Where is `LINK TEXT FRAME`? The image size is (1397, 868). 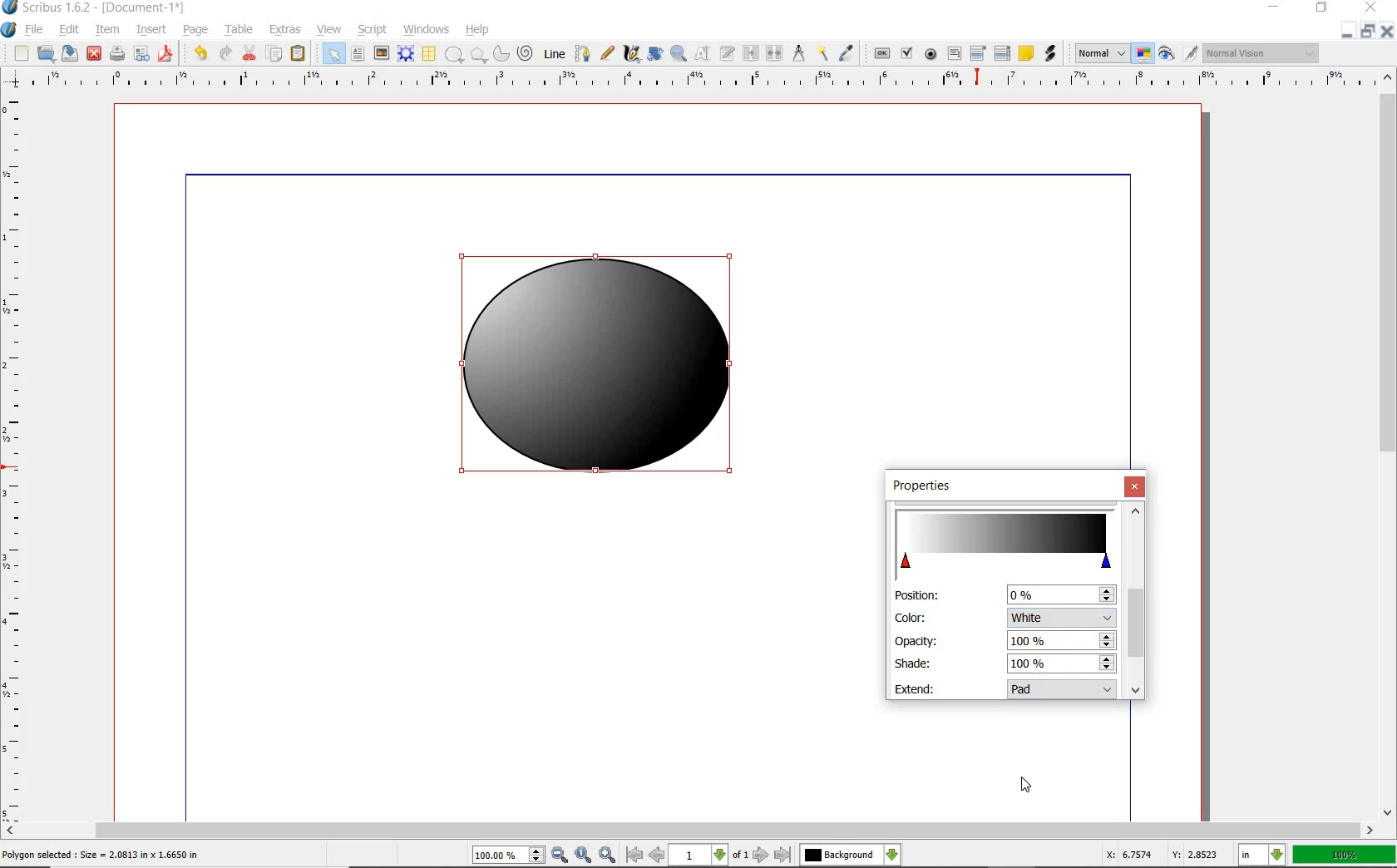
LINK TEXT FRAME is located at coordinates (751, 52).